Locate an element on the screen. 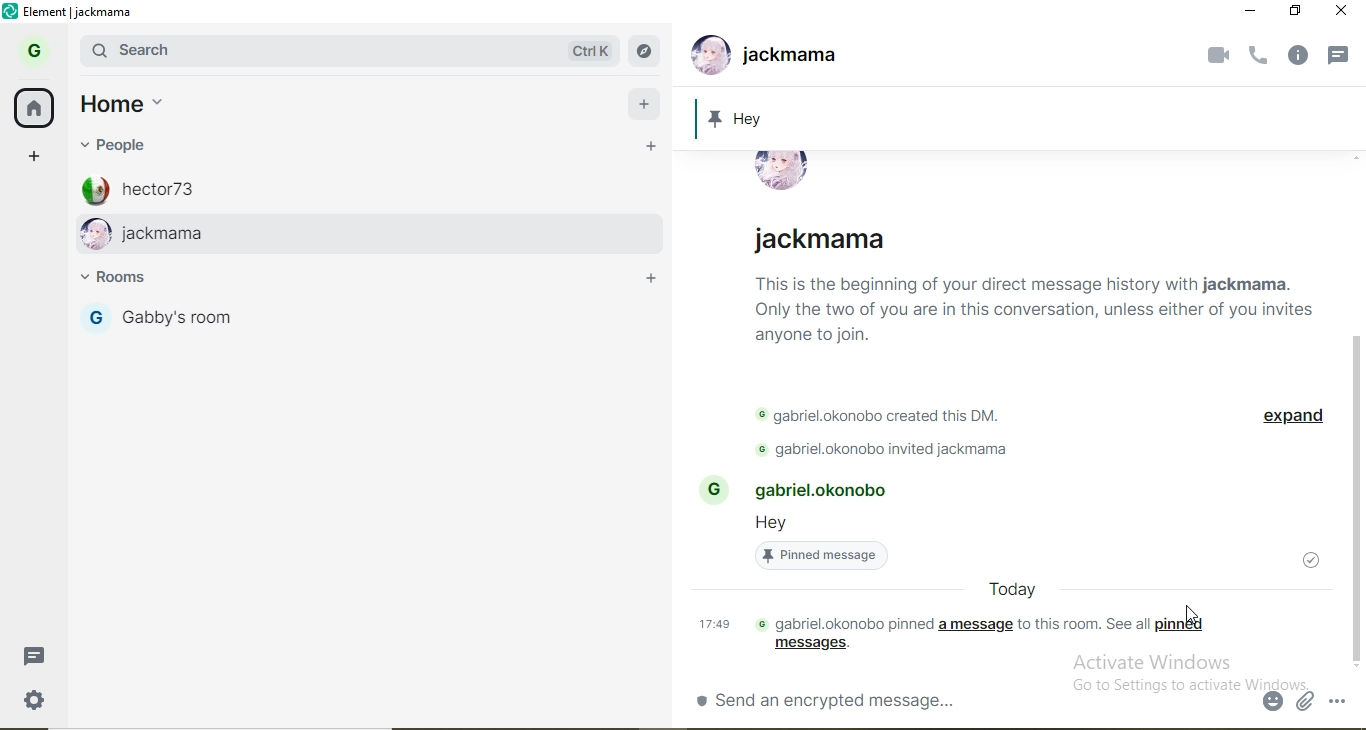 This screenshot has height=730, width=1366. cursor is located at coordinates (1196, 613).